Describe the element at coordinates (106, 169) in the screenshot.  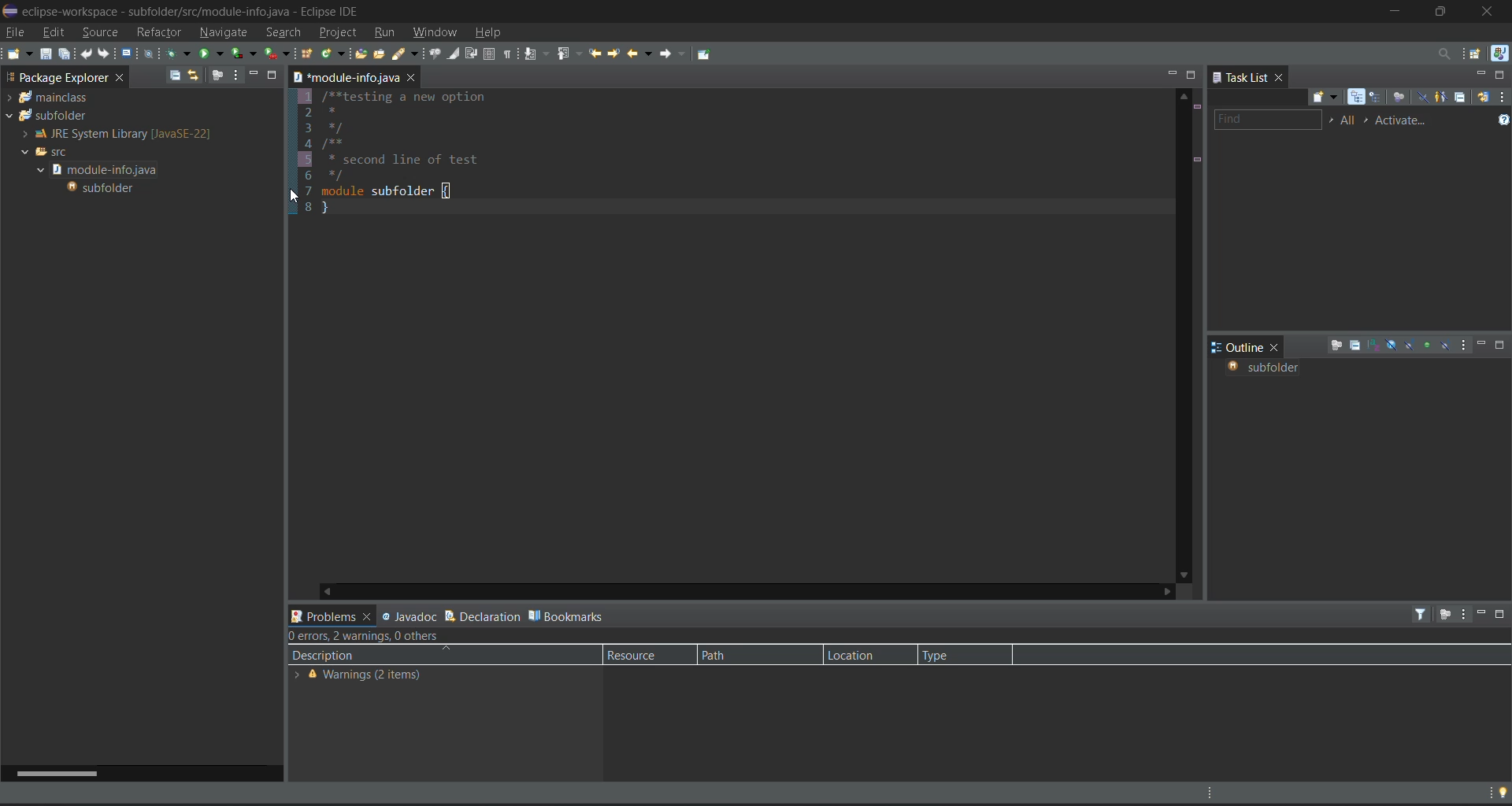
I see `module-info.java` at that location.